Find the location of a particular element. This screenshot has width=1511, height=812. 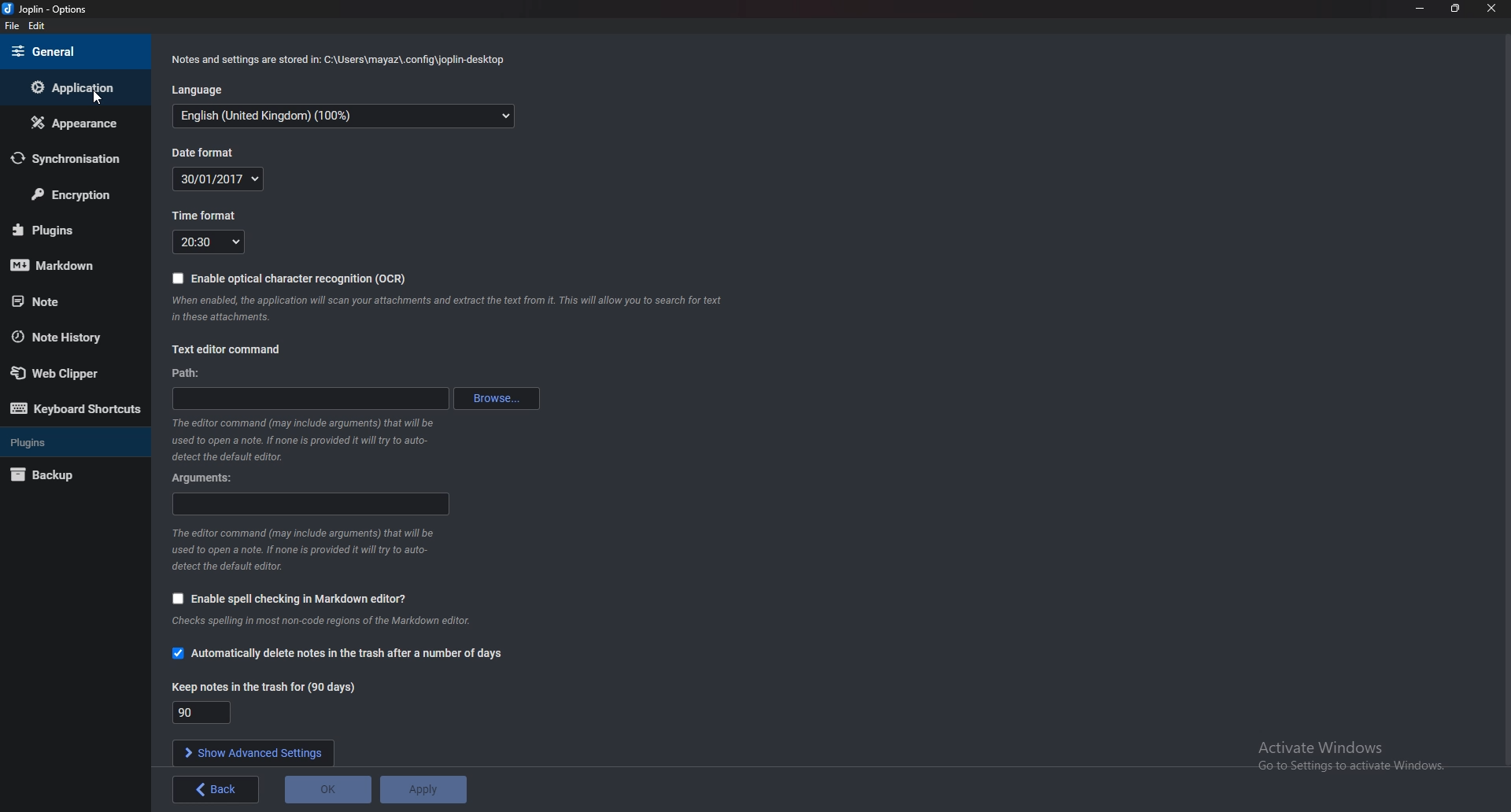

info is located at coordinates (305, 441).